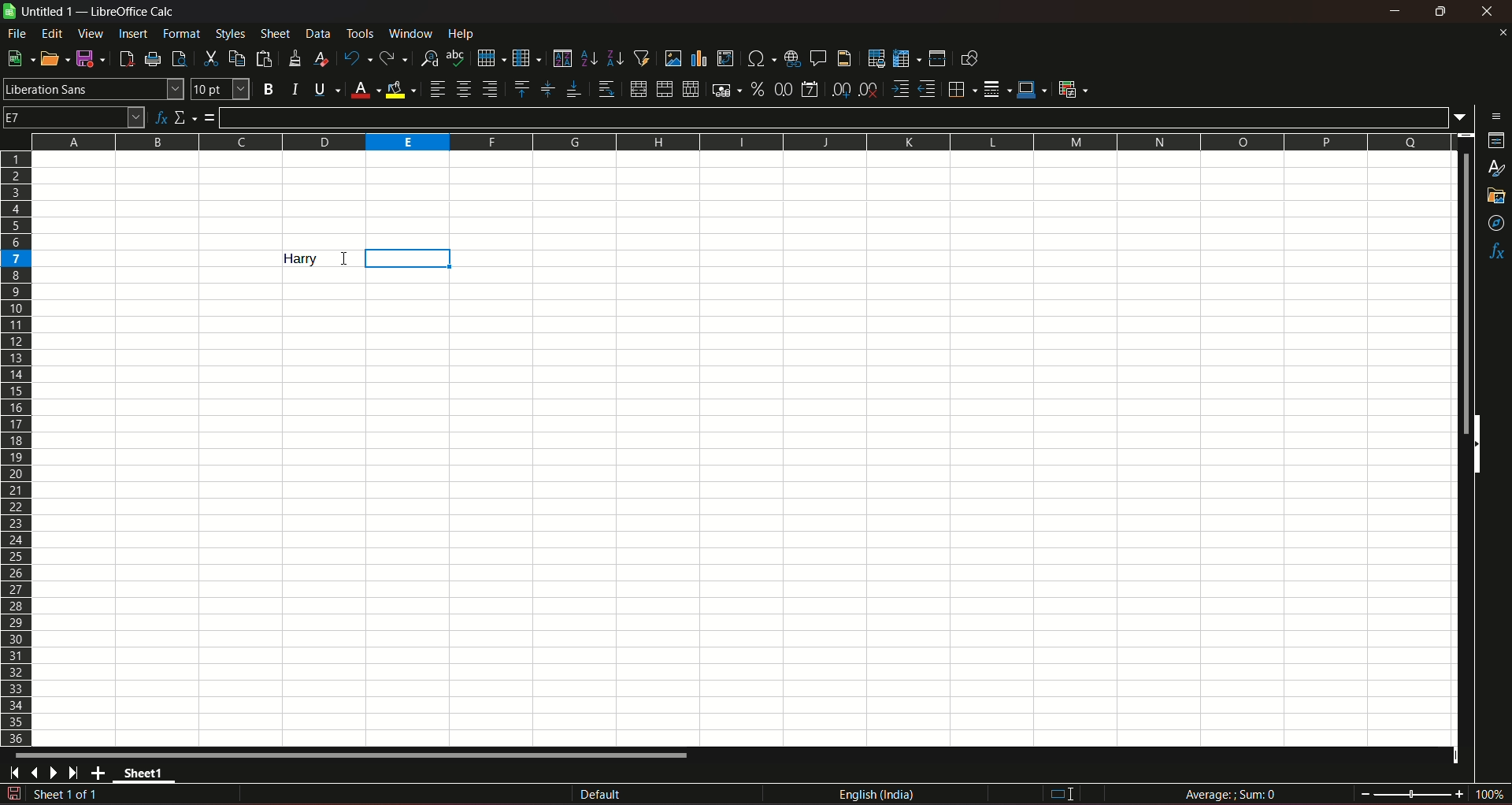 This screenshot has width=1512, height=805. Describe the element at coordinates (125, 57) in the screenshot. I see `export directly as PDF` at that location.